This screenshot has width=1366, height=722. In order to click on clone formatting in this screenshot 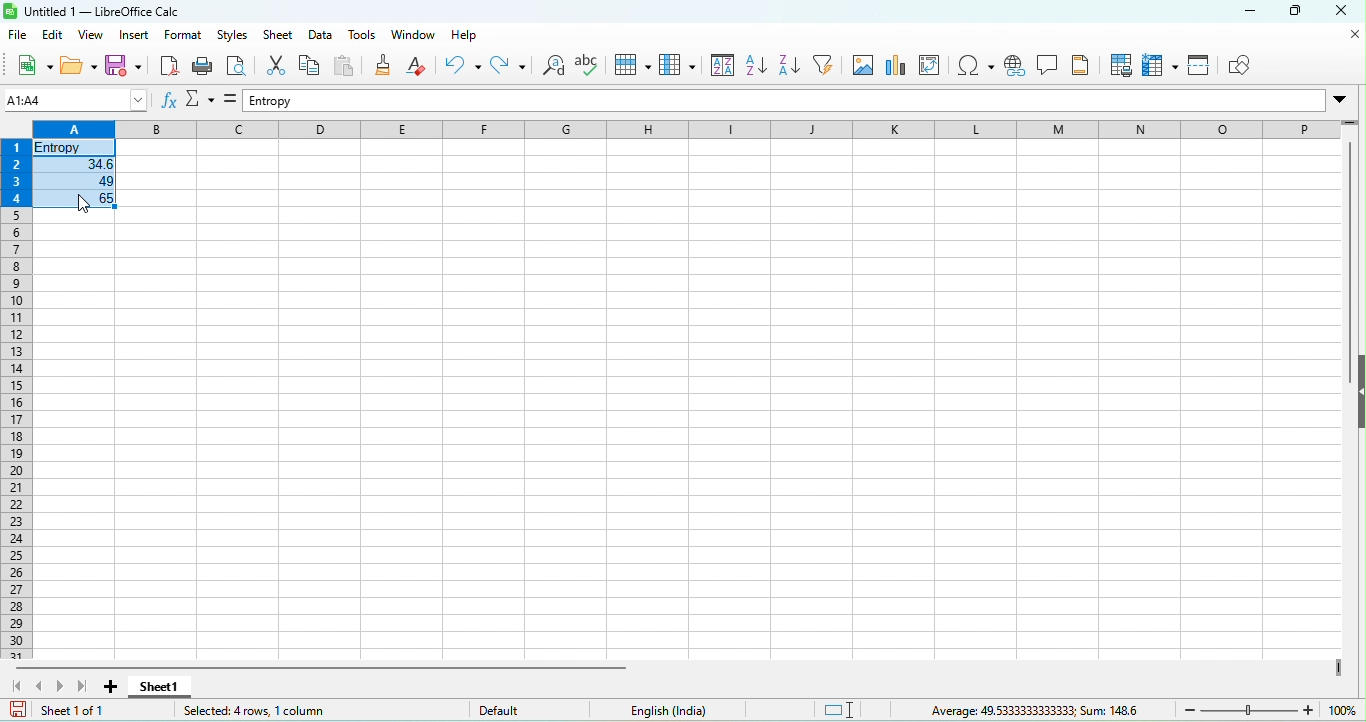, I will do `click(385, 66)`.